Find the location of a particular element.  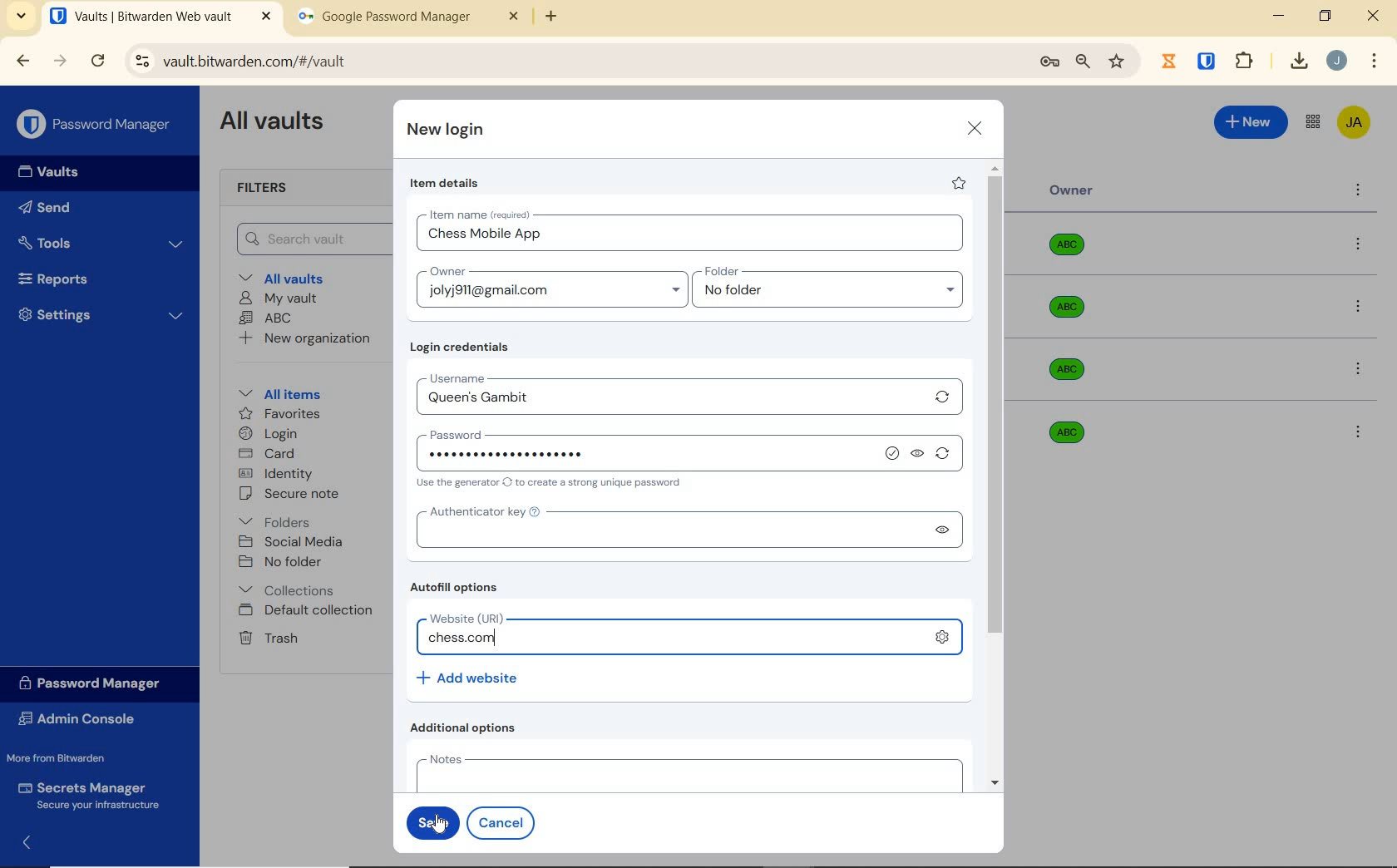

ABC is located at coordinates (265, 318).